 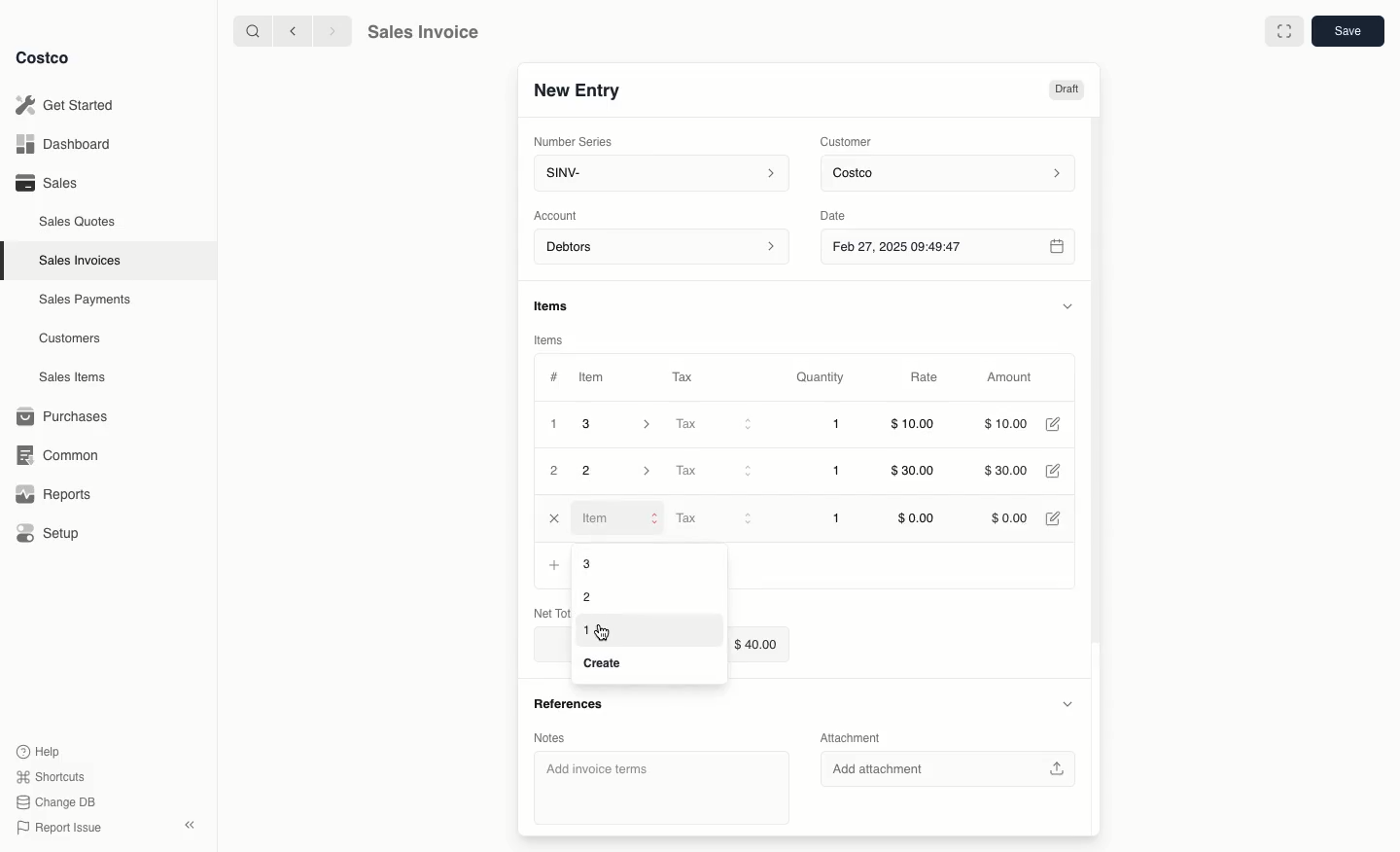 I want to click on 3, so click(x=622, y=424).